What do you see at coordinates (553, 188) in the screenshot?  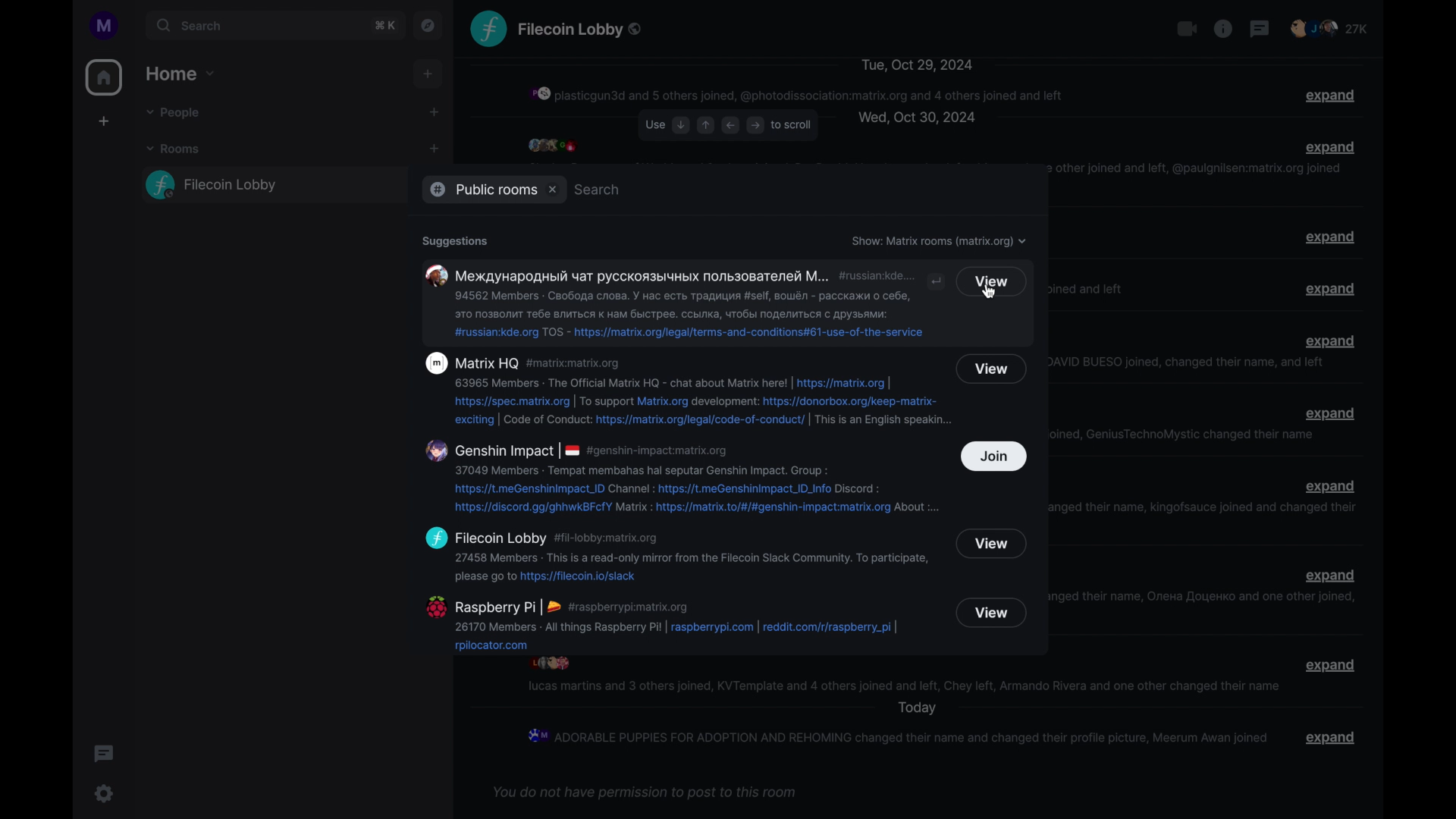 I see `close` at bounding box center [553, 188].